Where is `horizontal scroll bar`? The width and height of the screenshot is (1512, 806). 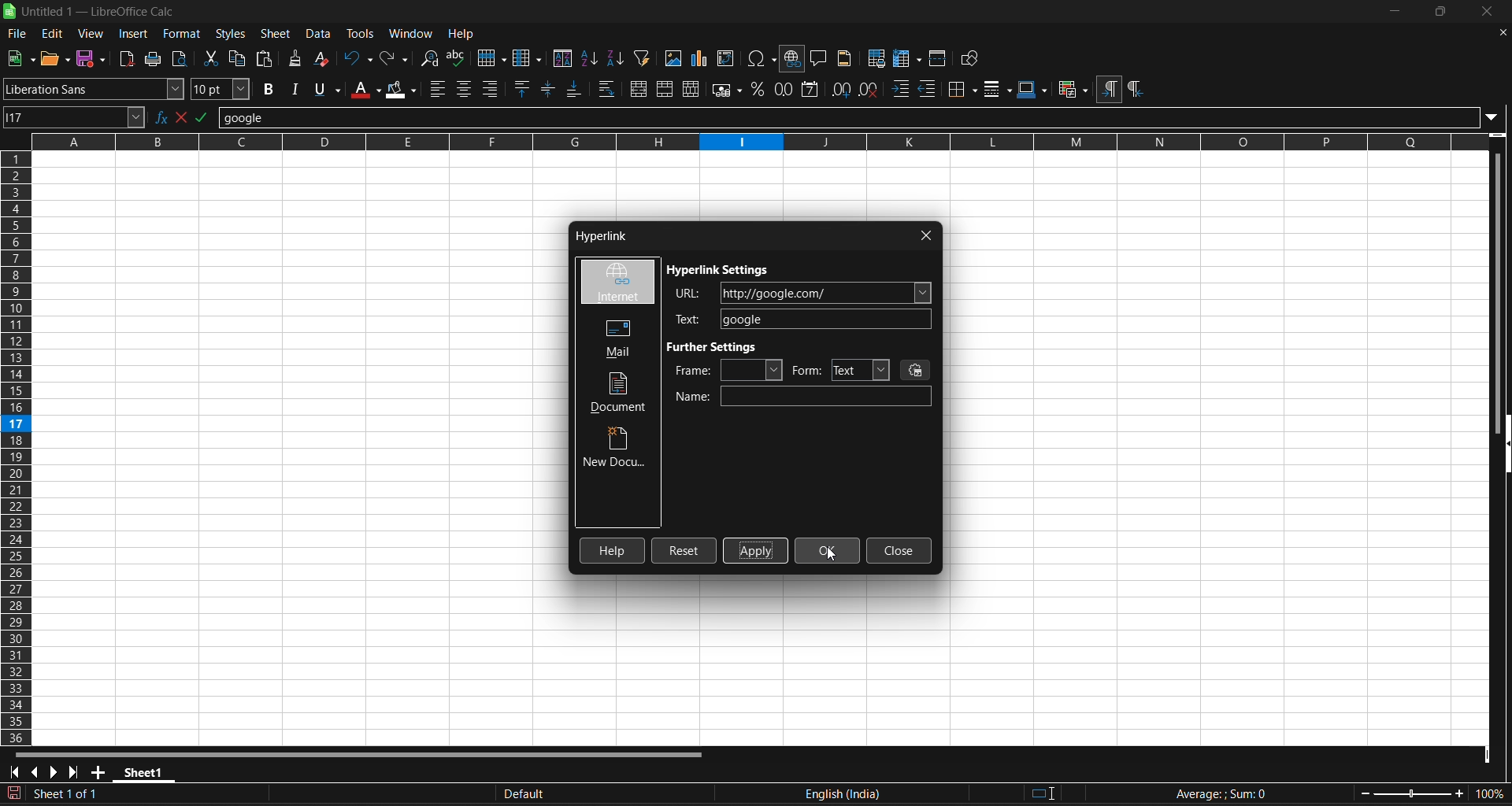 horizontal scroll bar is located at coordinates (370, 753).